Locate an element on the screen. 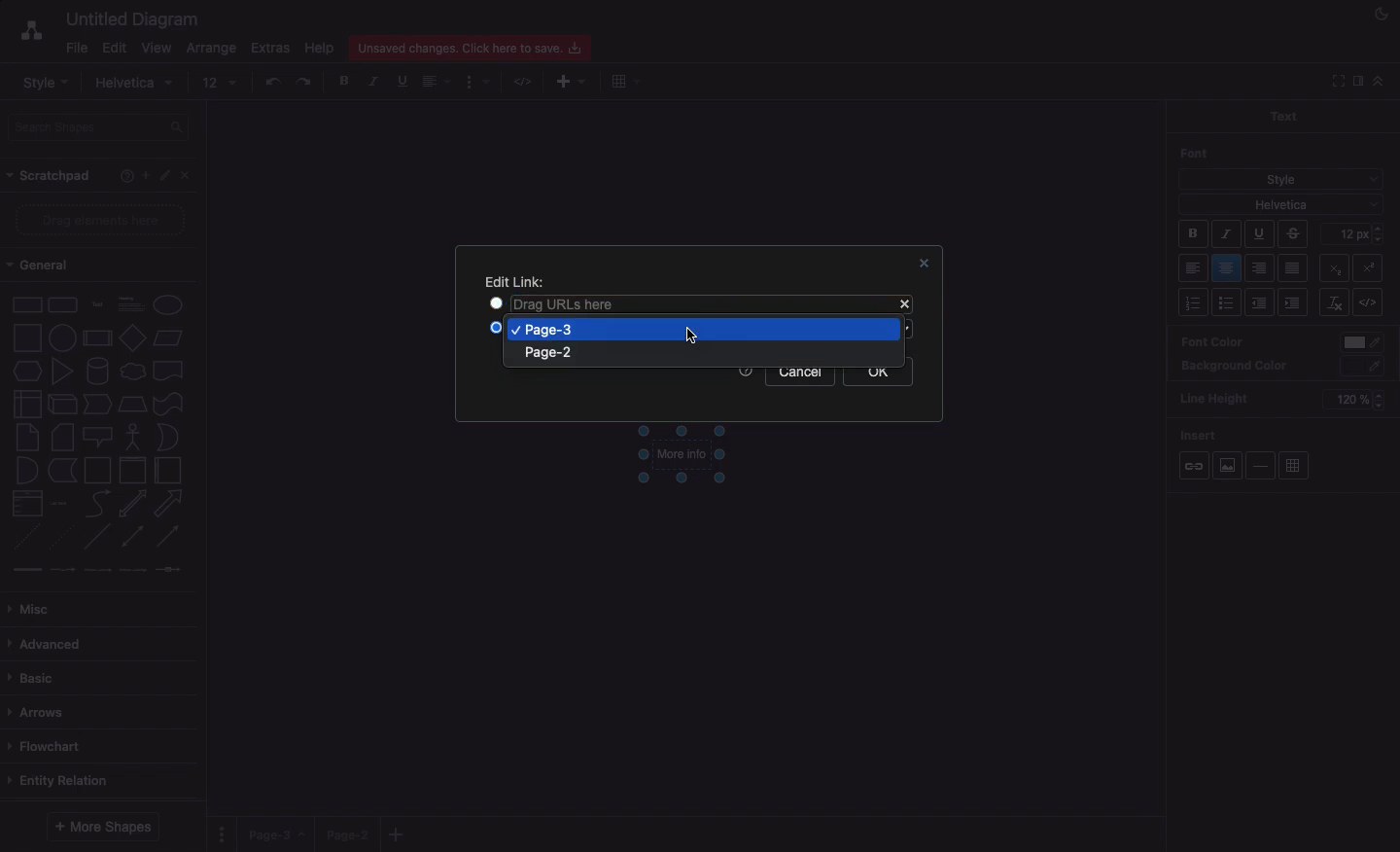 The height and width of the screenshot is (852, 1400). cylinder is located at coordinates (98, 371).